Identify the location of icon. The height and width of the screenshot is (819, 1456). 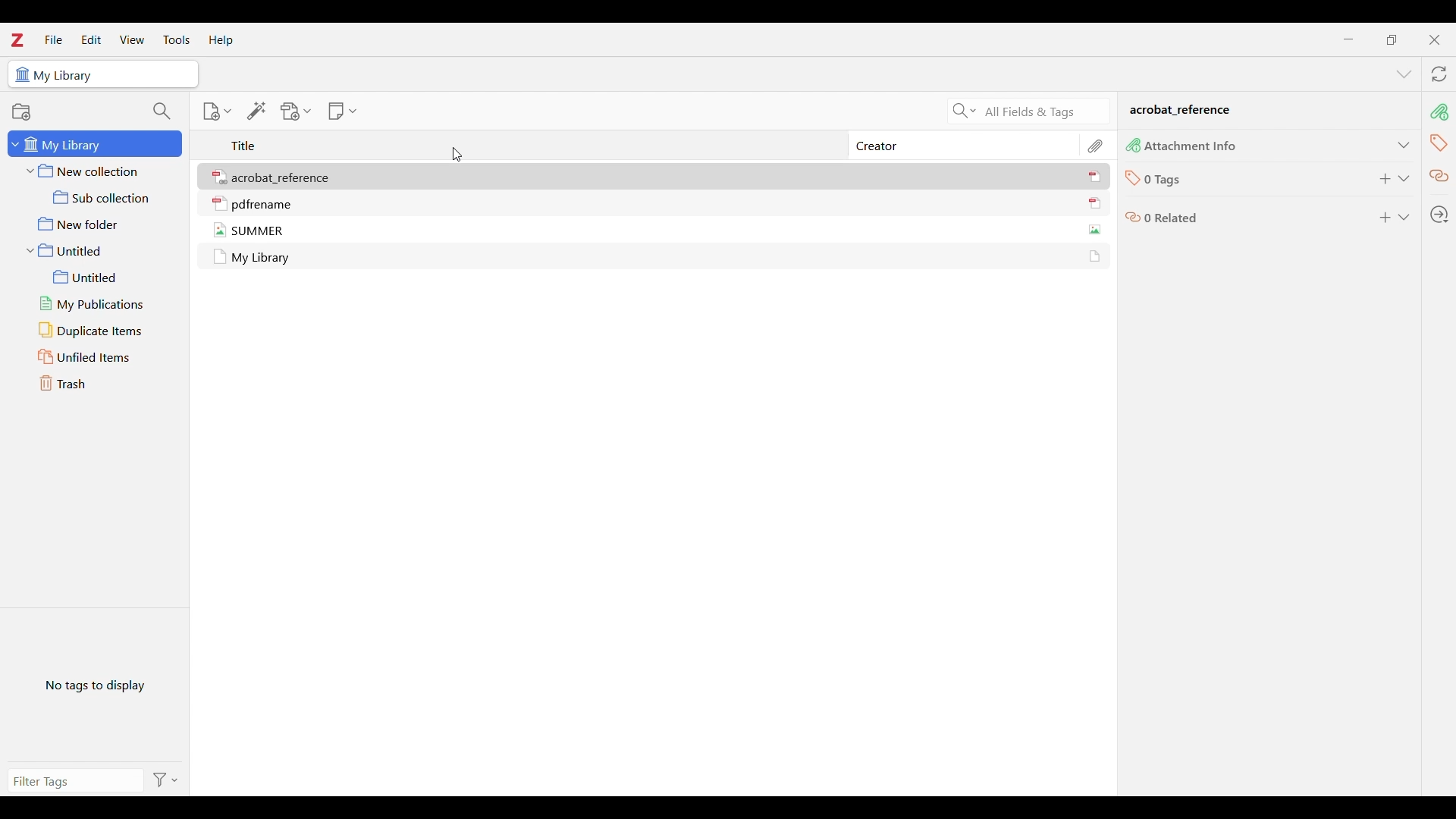
(220, 178).